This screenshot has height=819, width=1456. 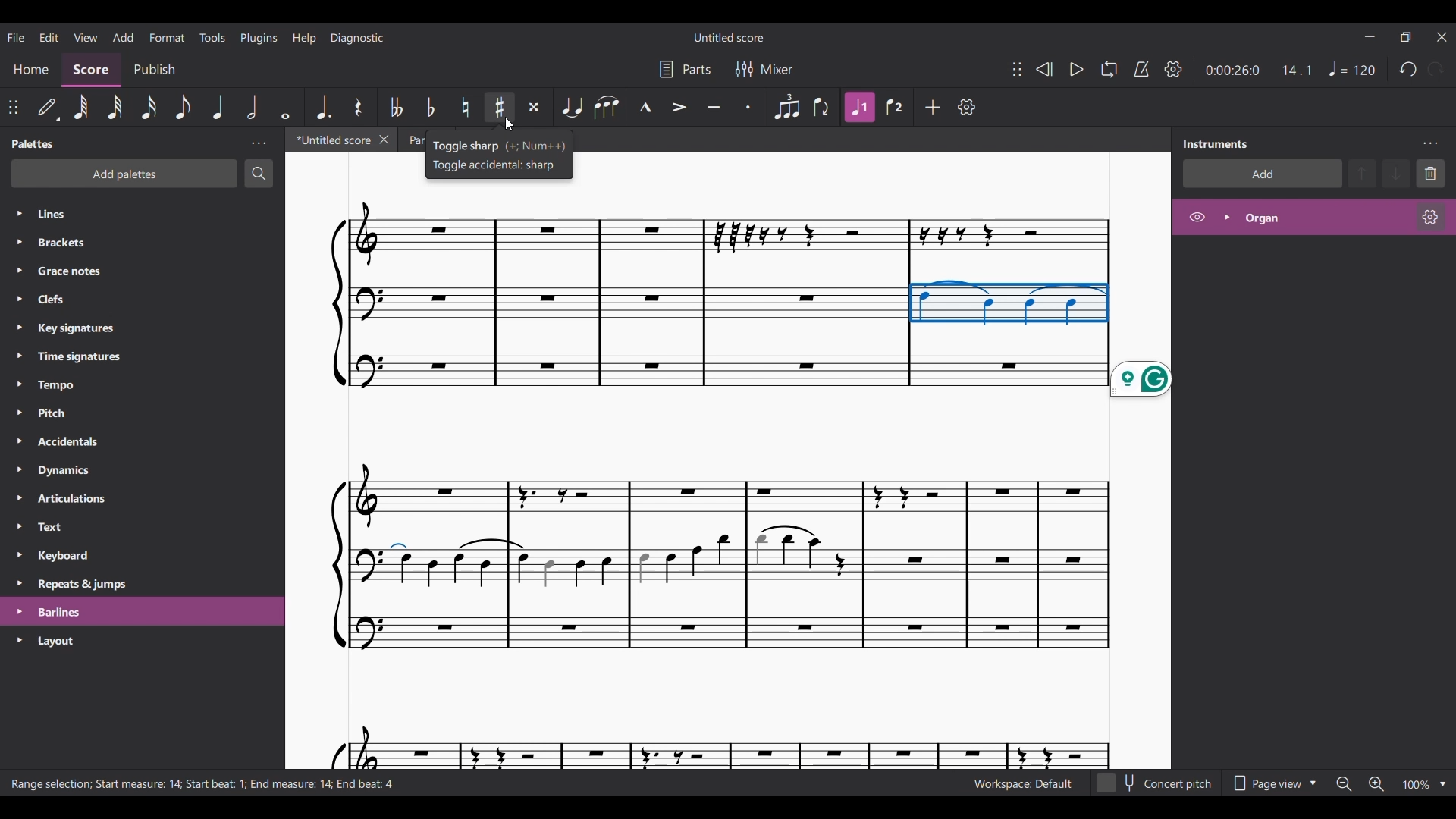 I want to click on Quarter note, so click(x=218, y=108).